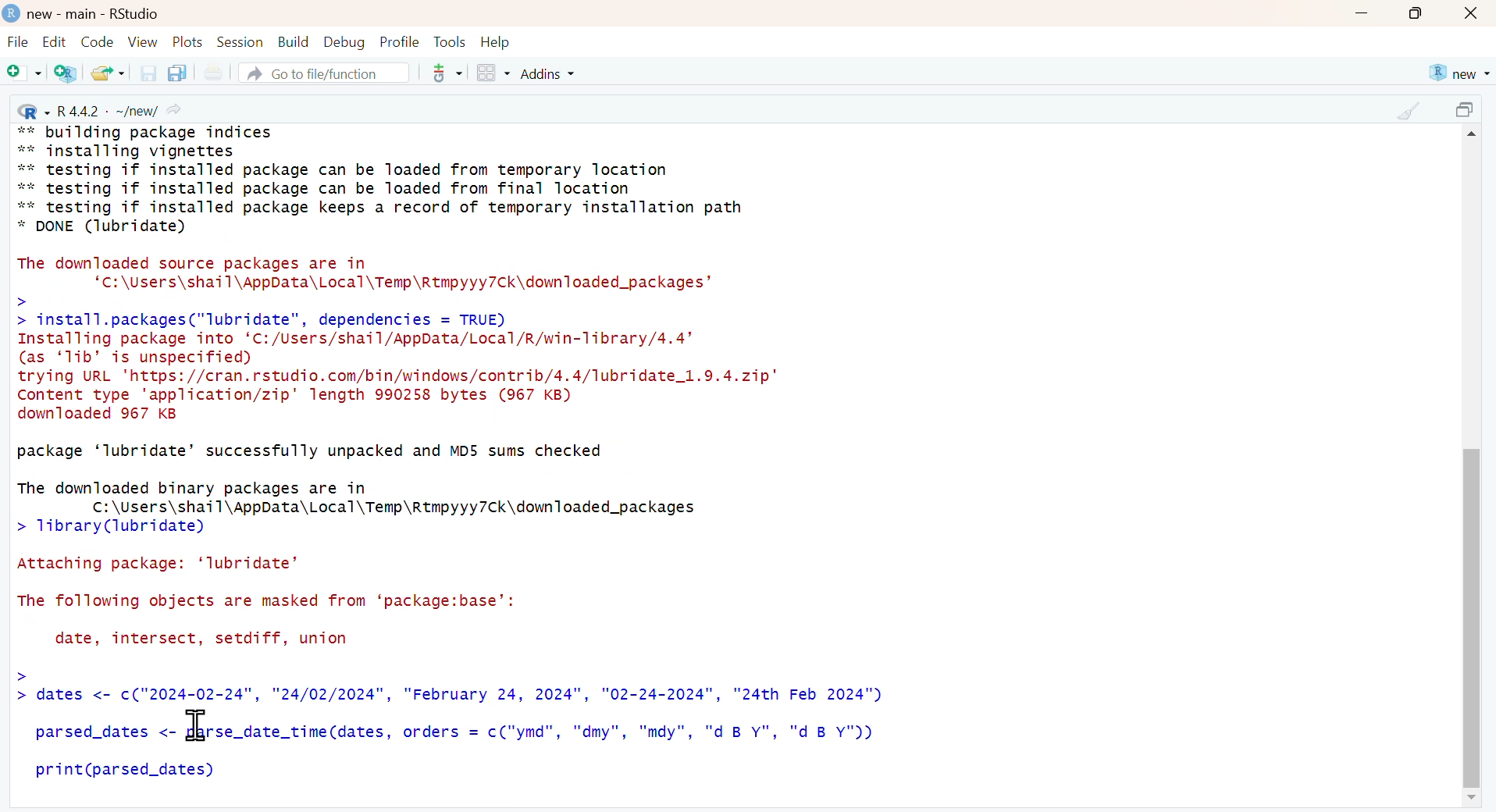  I want to click on New file, so click(25, 74).